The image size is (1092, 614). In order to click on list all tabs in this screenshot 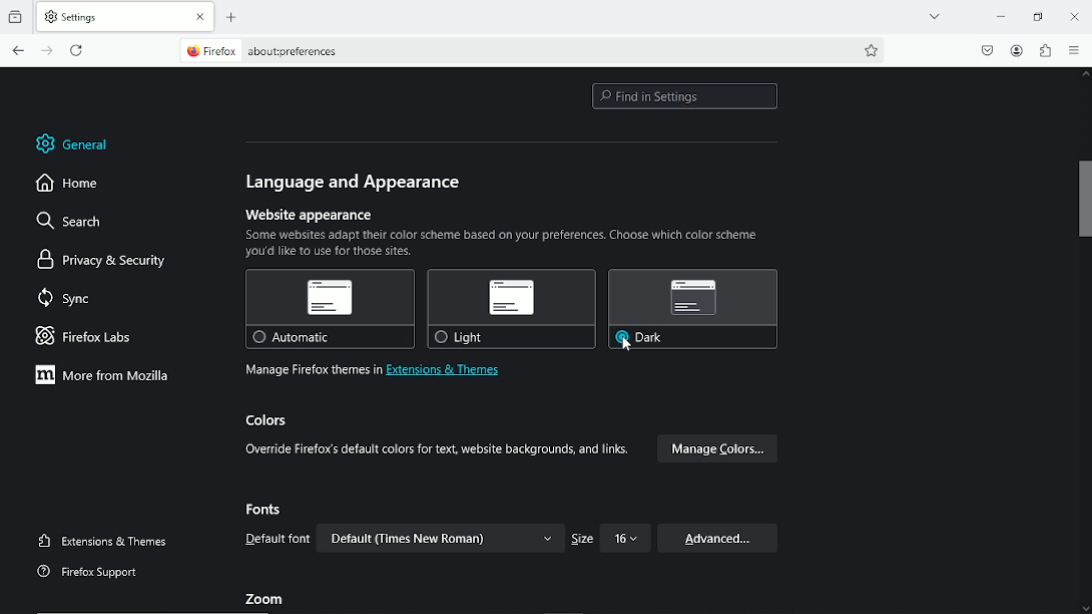, I will do `click(934, 16)`.